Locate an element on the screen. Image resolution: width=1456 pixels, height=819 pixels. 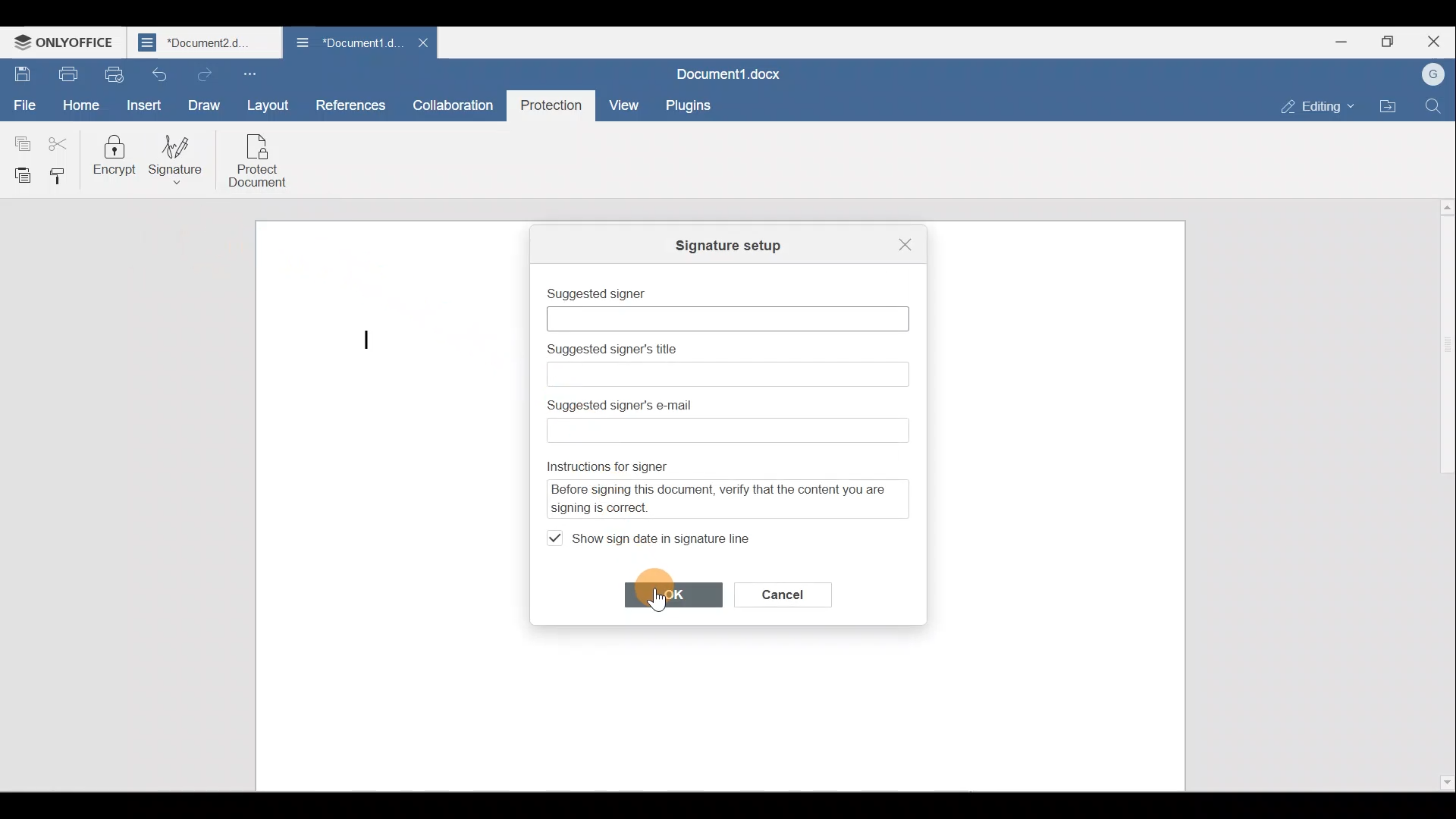
Undo is located at coordinates (158, 74).